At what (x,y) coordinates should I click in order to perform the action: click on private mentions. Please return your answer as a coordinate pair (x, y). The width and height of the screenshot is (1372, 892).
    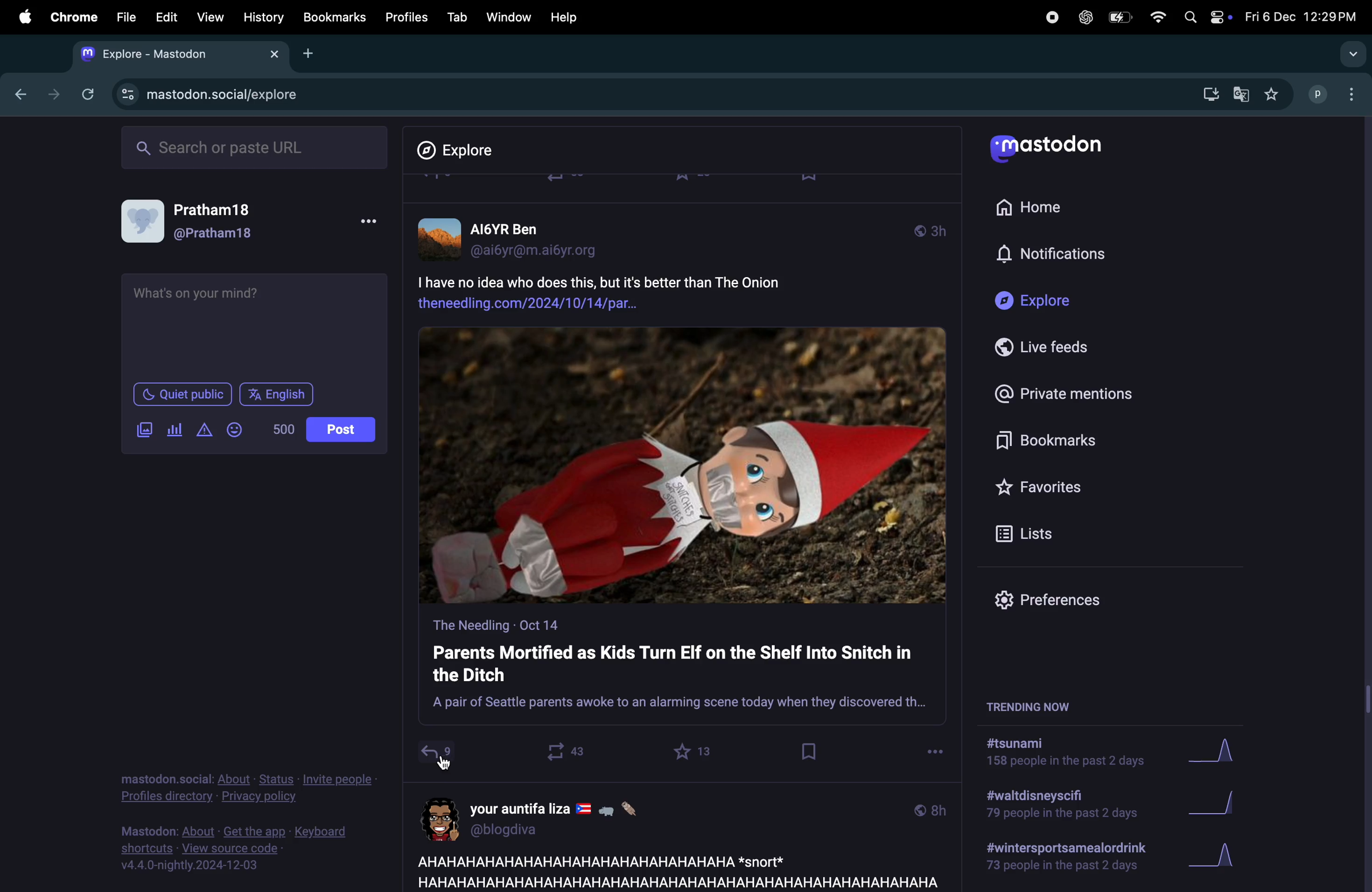
    Looking at the image, I should click on (1062, 392).